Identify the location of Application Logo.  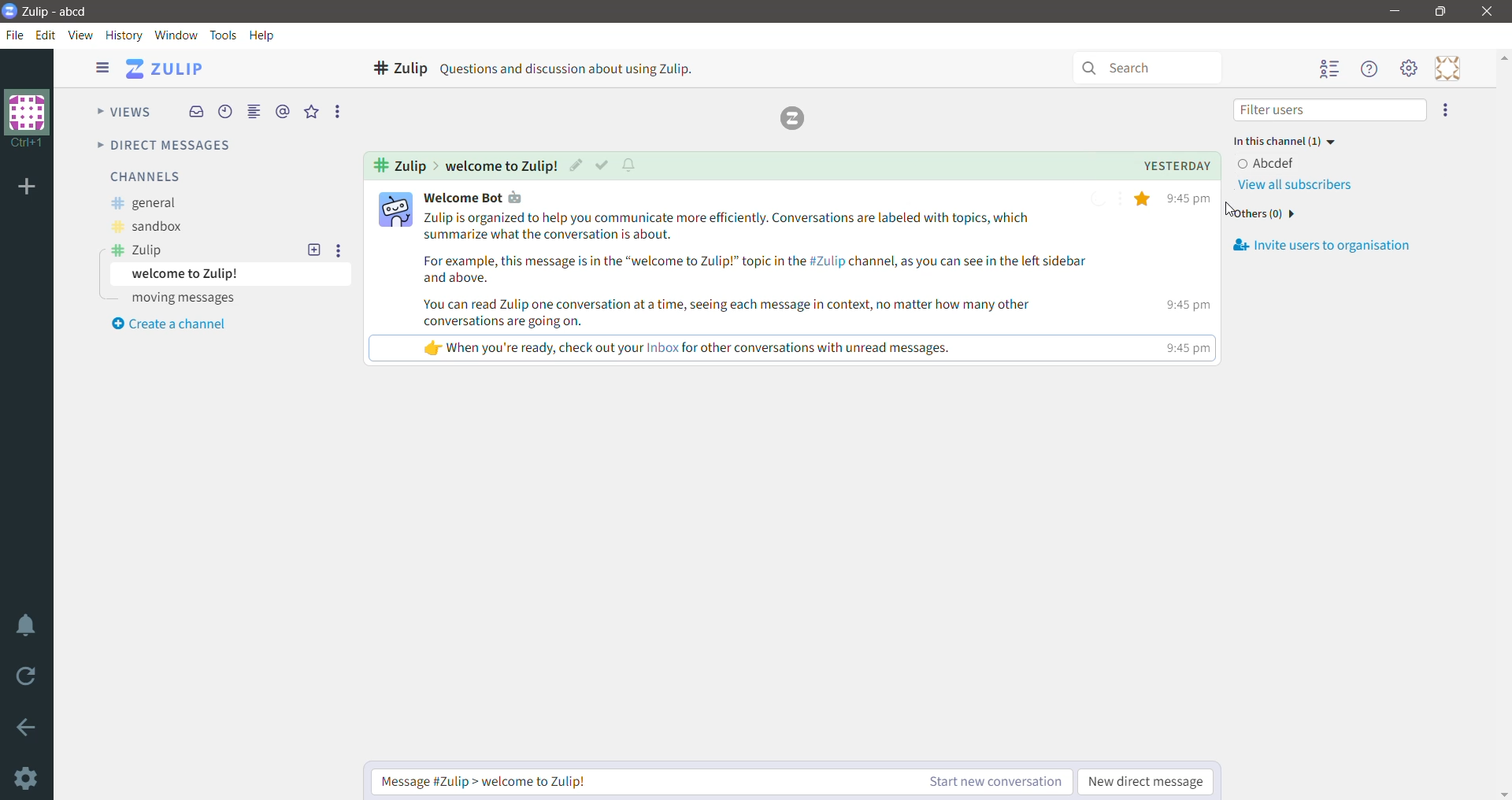
(9, 12).